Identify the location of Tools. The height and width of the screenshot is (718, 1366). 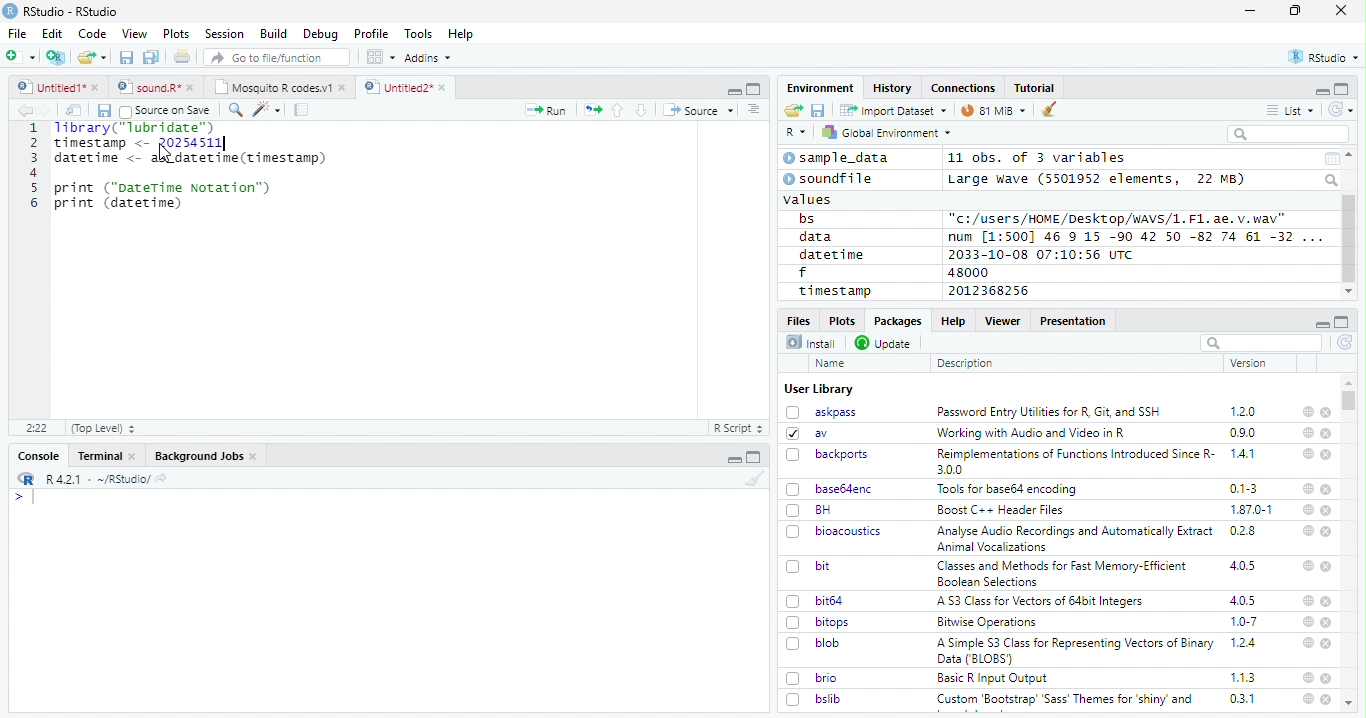
(417, 34).